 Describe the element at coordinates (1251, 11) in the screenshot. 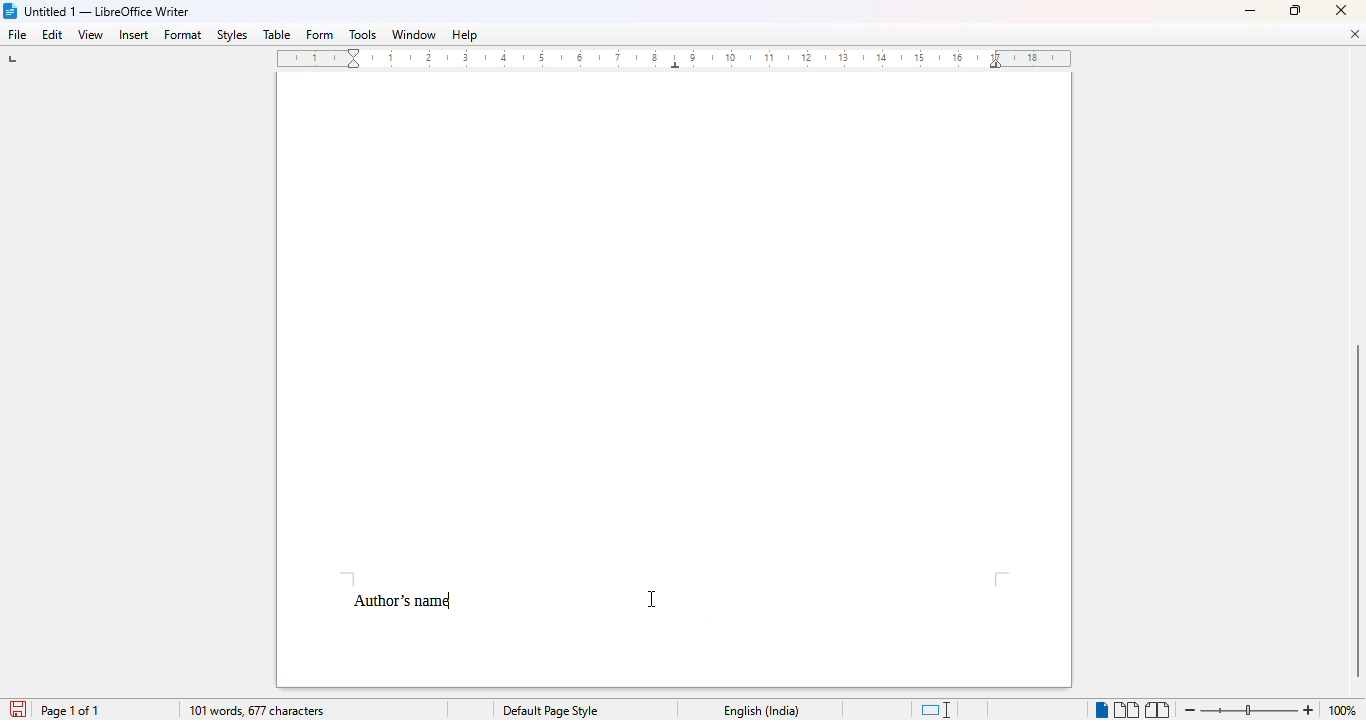

I see `minimize` at that location.